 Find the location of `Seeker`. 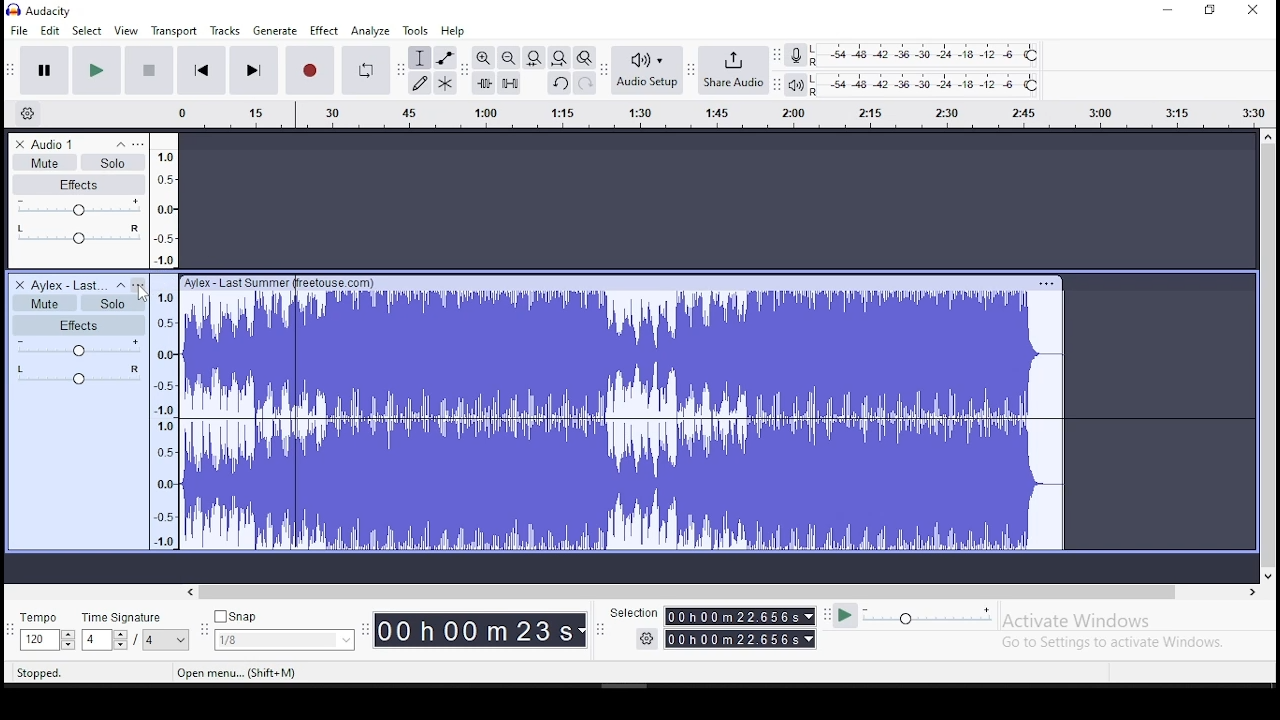

Seeker is located at coordinates (166, 340).